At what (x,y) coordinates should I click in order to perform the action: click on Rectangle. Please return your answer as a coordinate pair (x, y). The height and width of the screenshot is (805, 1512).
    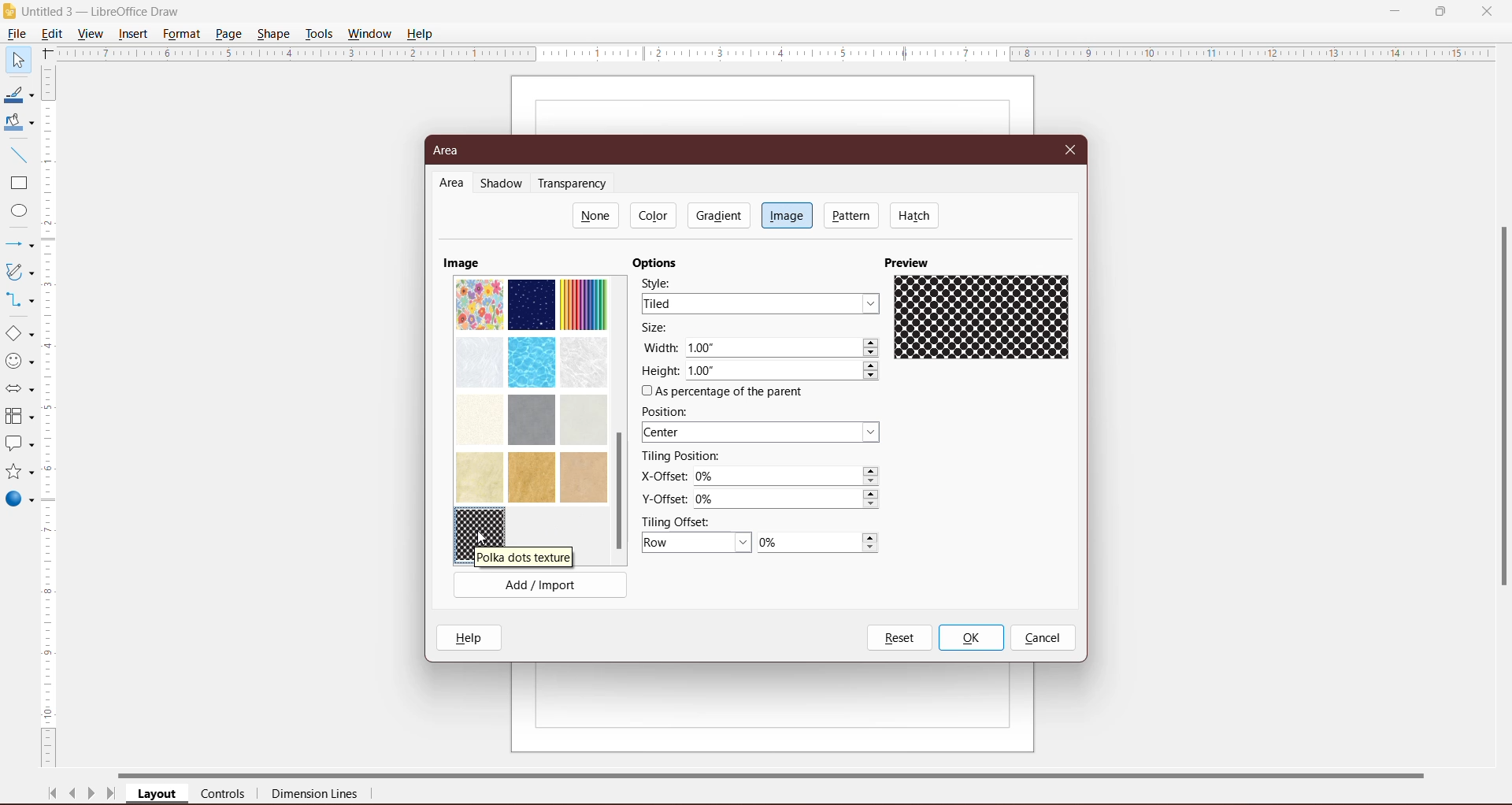
    Looking at the image, I should click on (17, 184).